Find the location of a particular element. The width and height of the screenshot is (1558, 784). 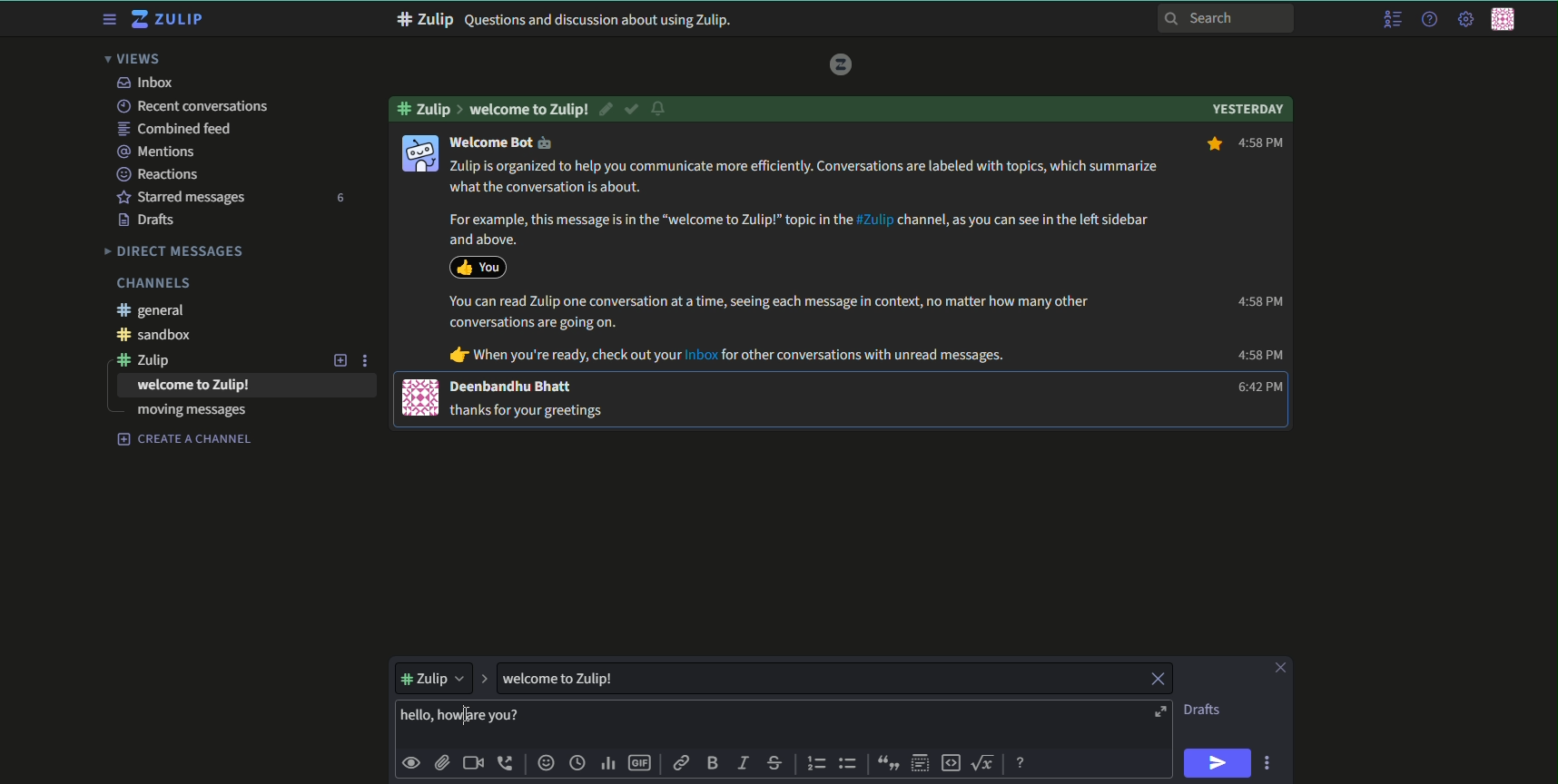

help menu is located at coordinates (1427, 20).